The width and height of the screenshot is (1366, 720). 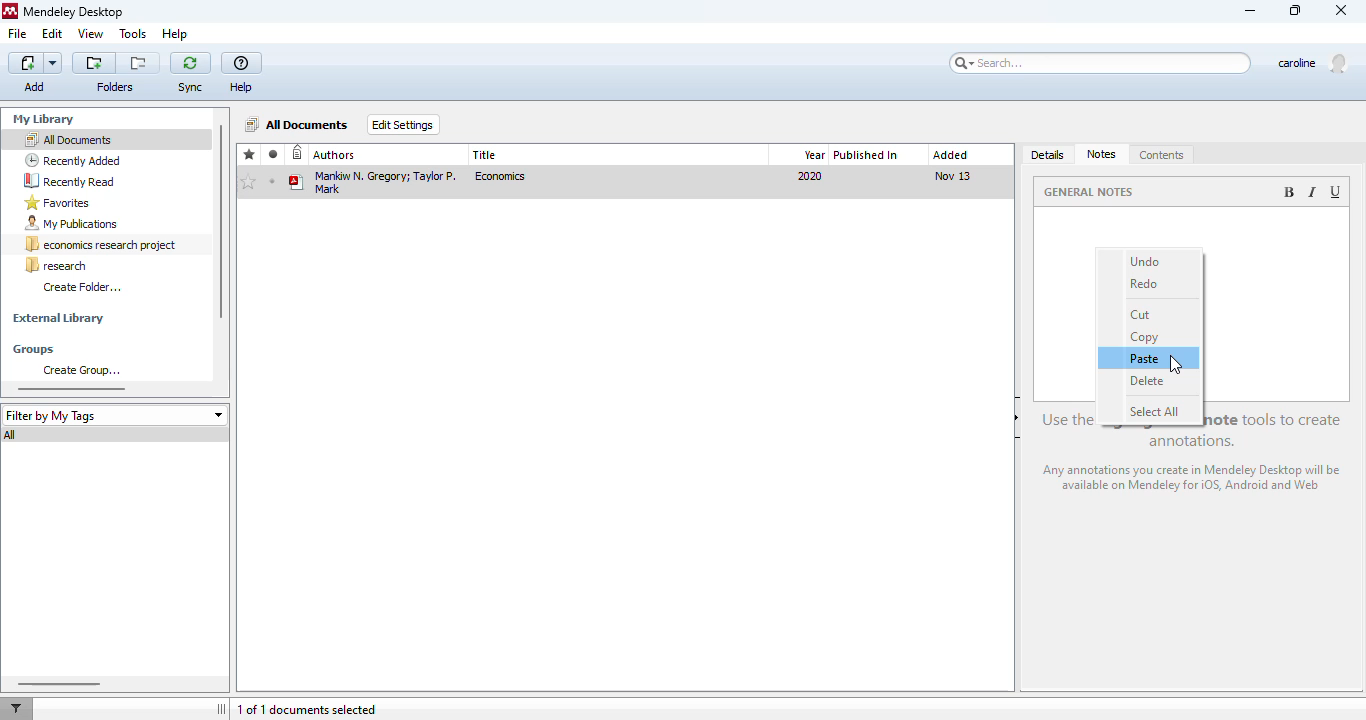 What do you see at coordinates (1092, 191) in the screenshot?
I see `general notes` at bounding box center [1092, 191].